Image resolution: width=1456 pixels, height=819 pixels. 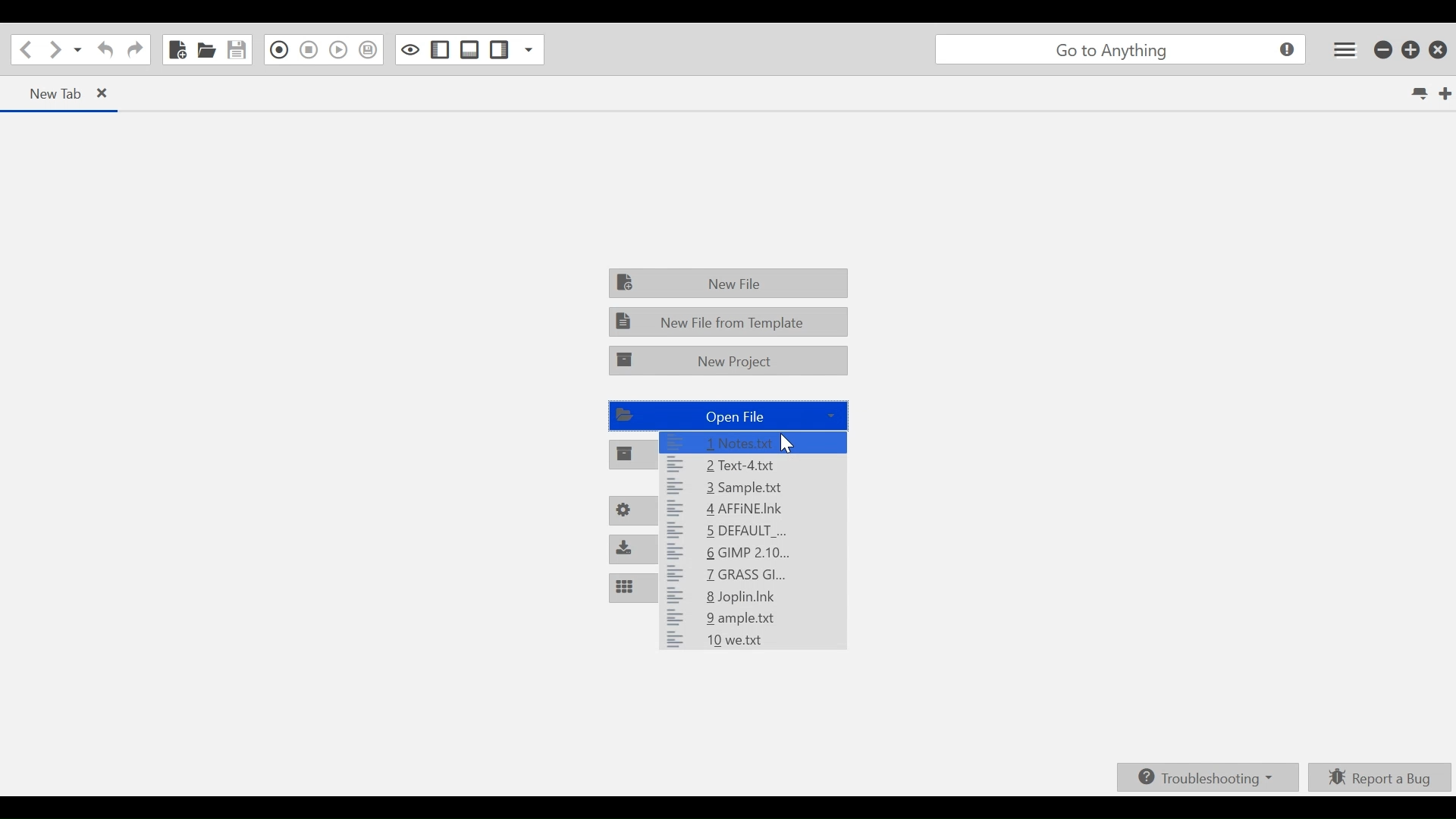 What do you see at coordinates (747, 641) in the screenshot?
I see `10 we.txt` at bounding box center [747, 641].